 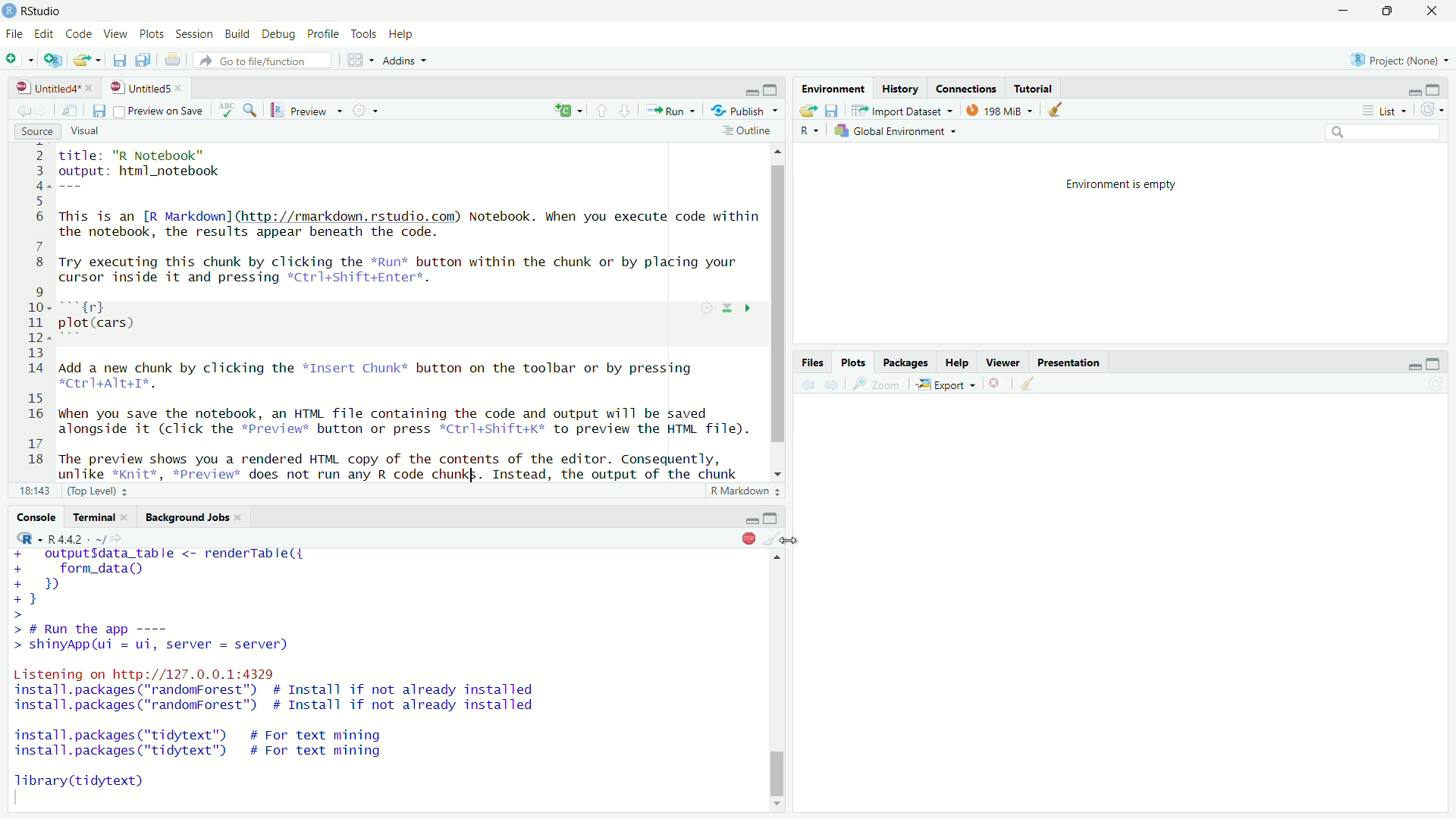 I want to click on Visual, so click(x=94, y=132).